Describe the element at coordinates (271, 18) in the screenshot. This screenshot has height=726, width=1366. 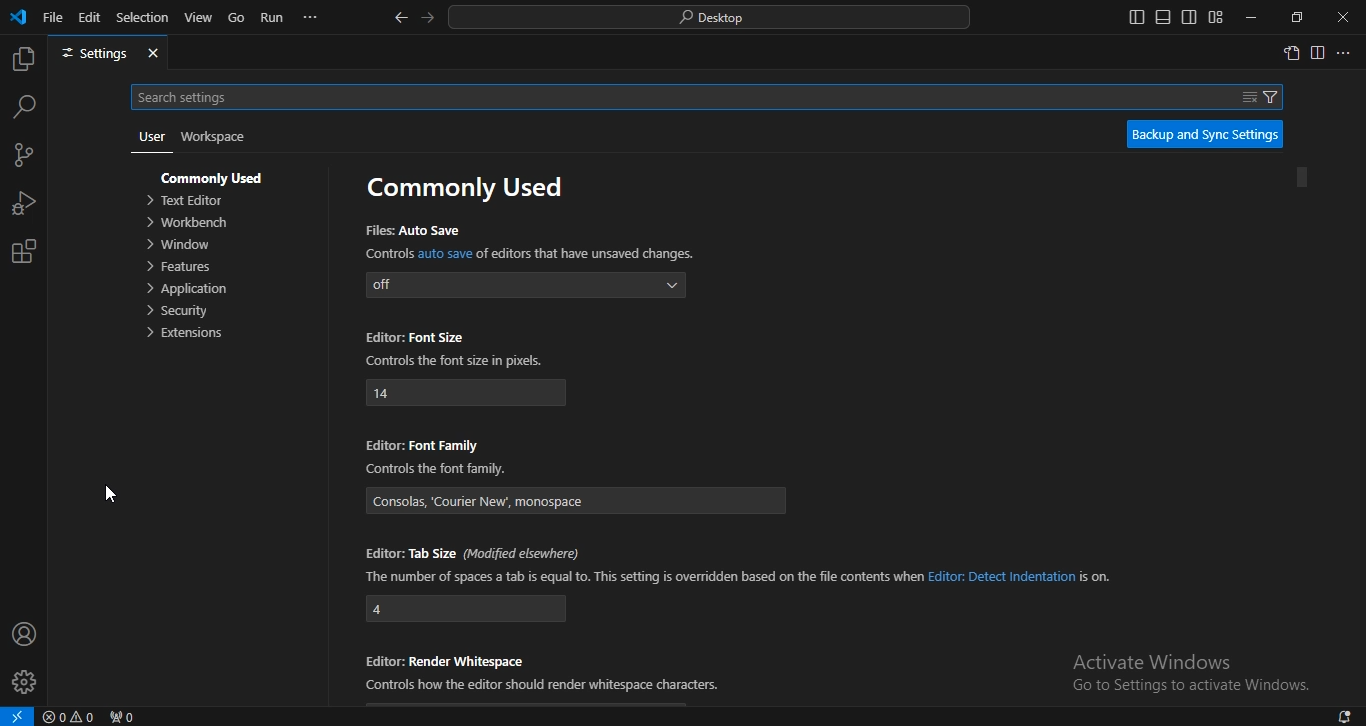
I see `run` at that location.